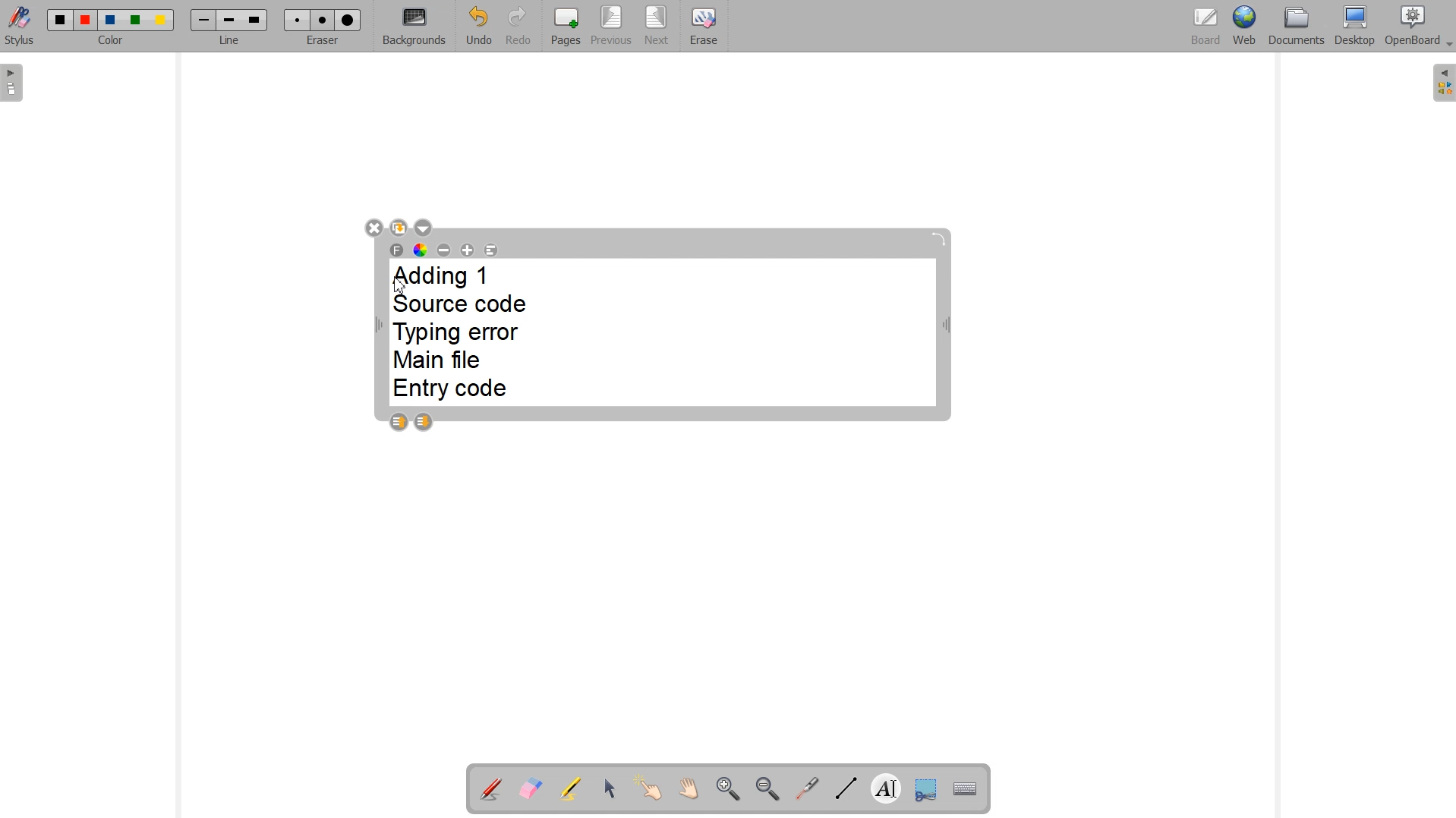 This screenshot has width=1456, height=818. Describe the element at coordinates (468, 250) in the screenshot. I see `Increase font size ` at that location.